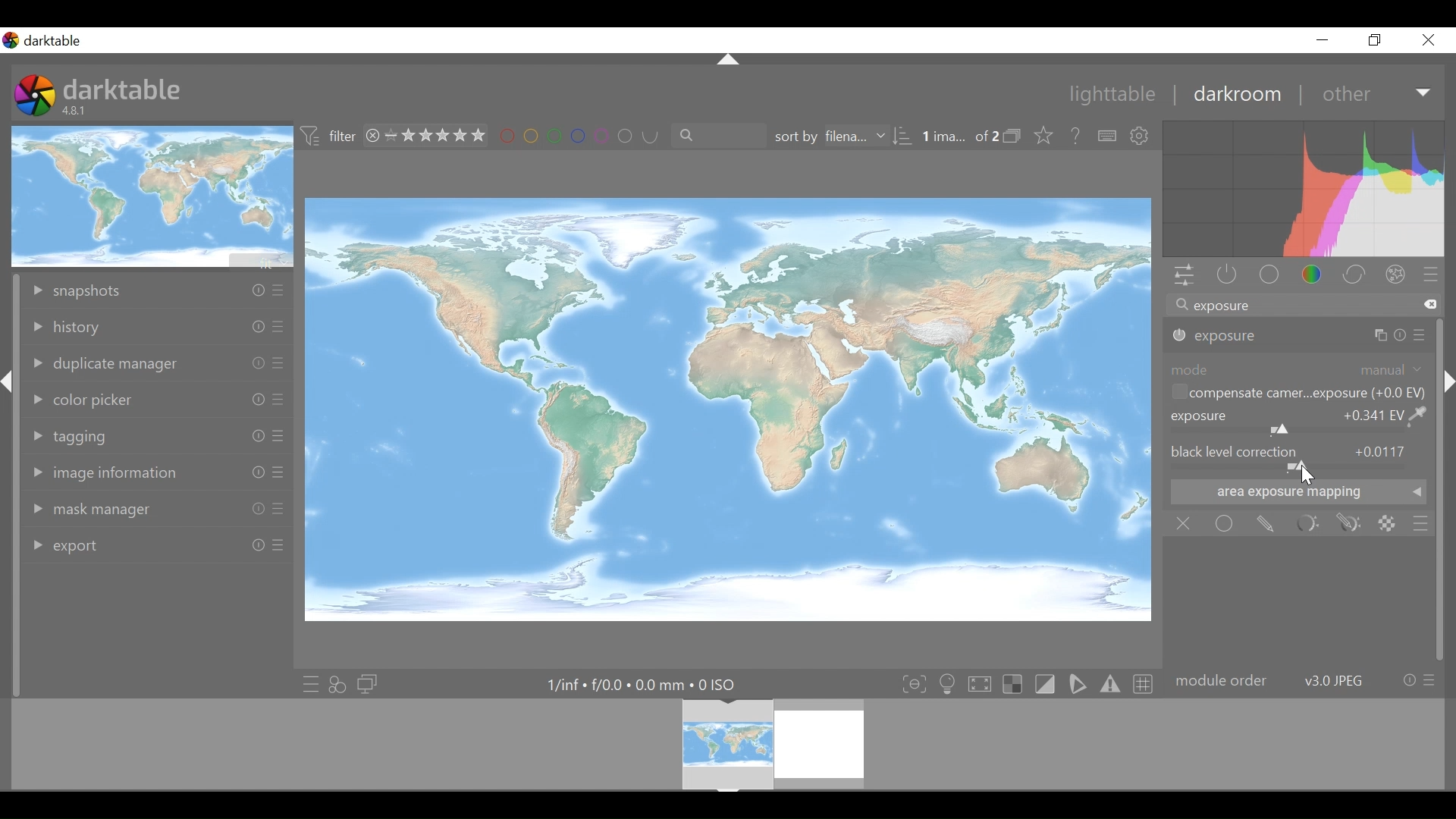  I want to click on darktable, so click(122, 89).